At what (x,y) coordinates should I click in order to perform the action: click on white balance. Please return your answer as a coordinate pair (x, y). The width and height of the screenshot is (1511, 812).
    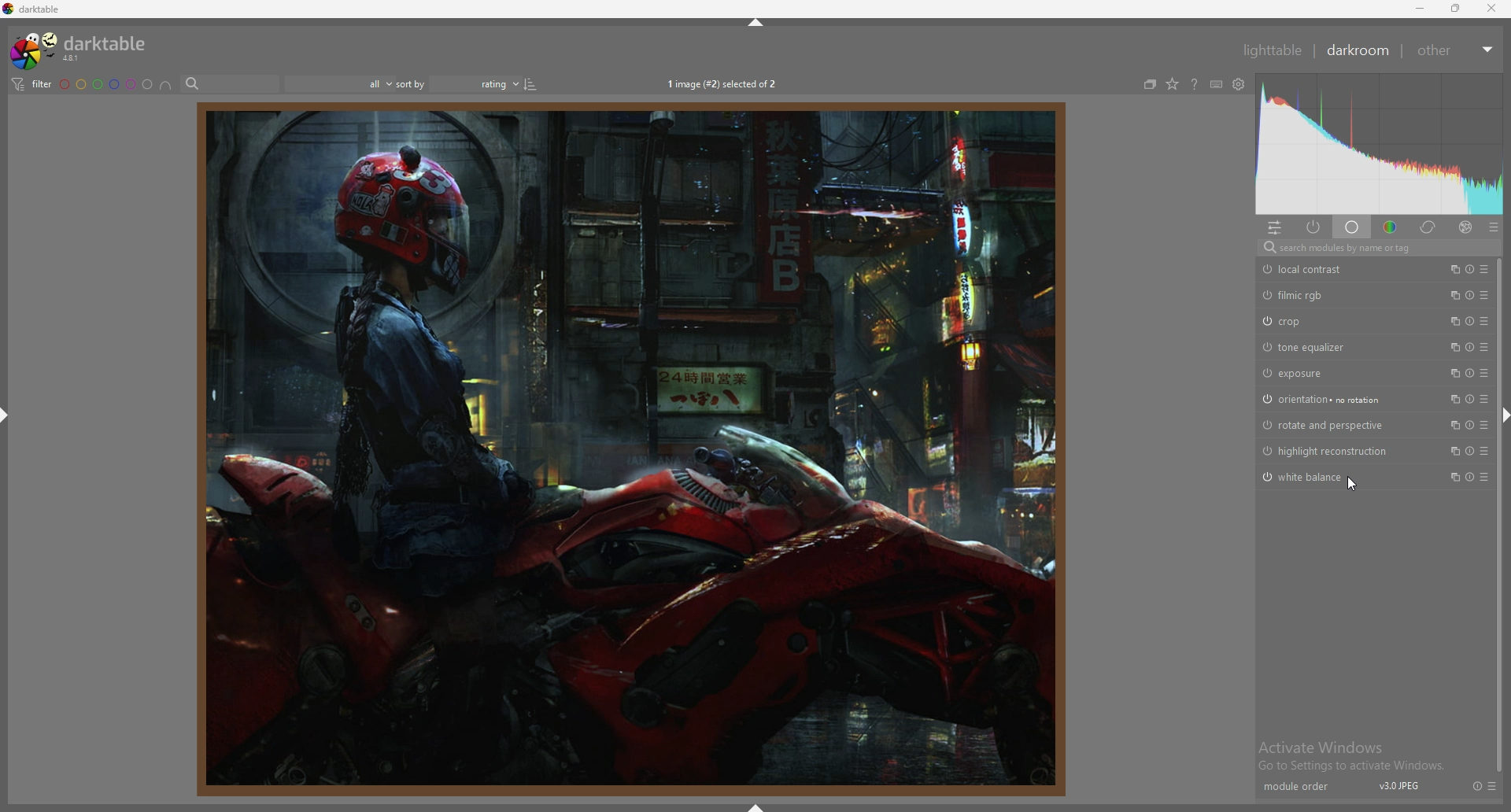
    Looking at the image, I should click on (1313, 476).